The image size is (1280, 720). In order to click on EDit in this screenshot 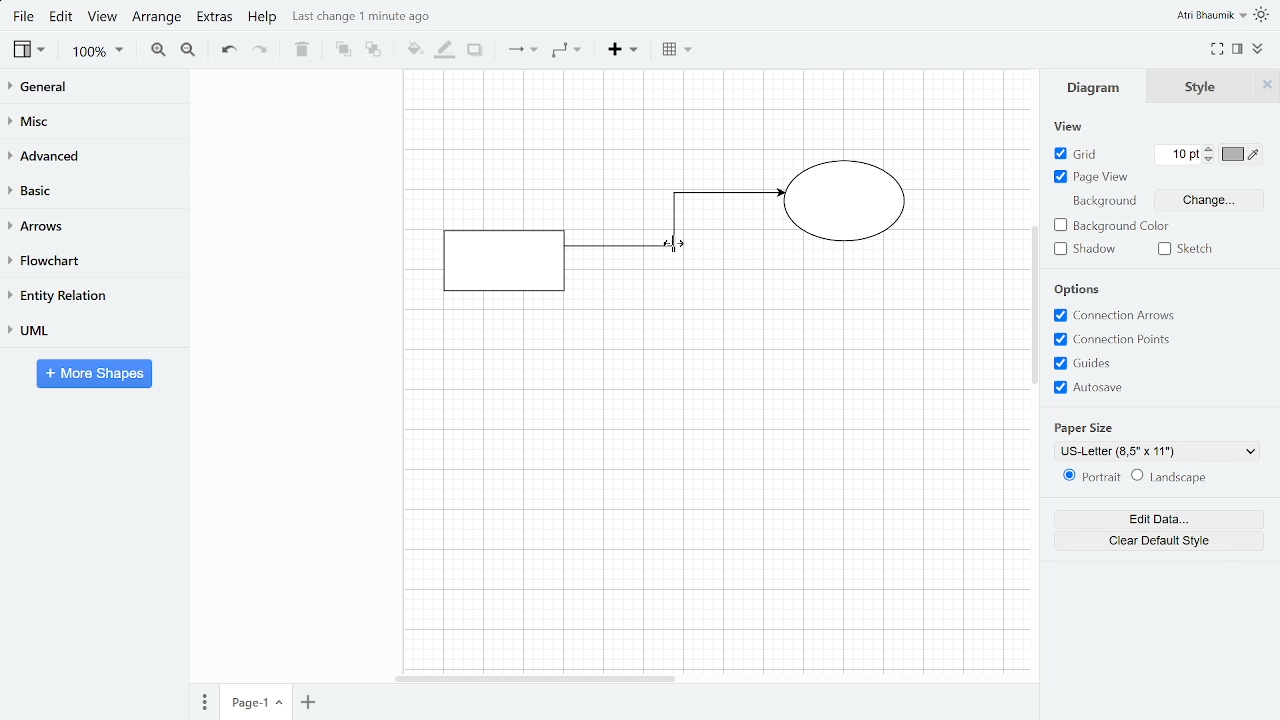, I will do `click(62, 18)`.